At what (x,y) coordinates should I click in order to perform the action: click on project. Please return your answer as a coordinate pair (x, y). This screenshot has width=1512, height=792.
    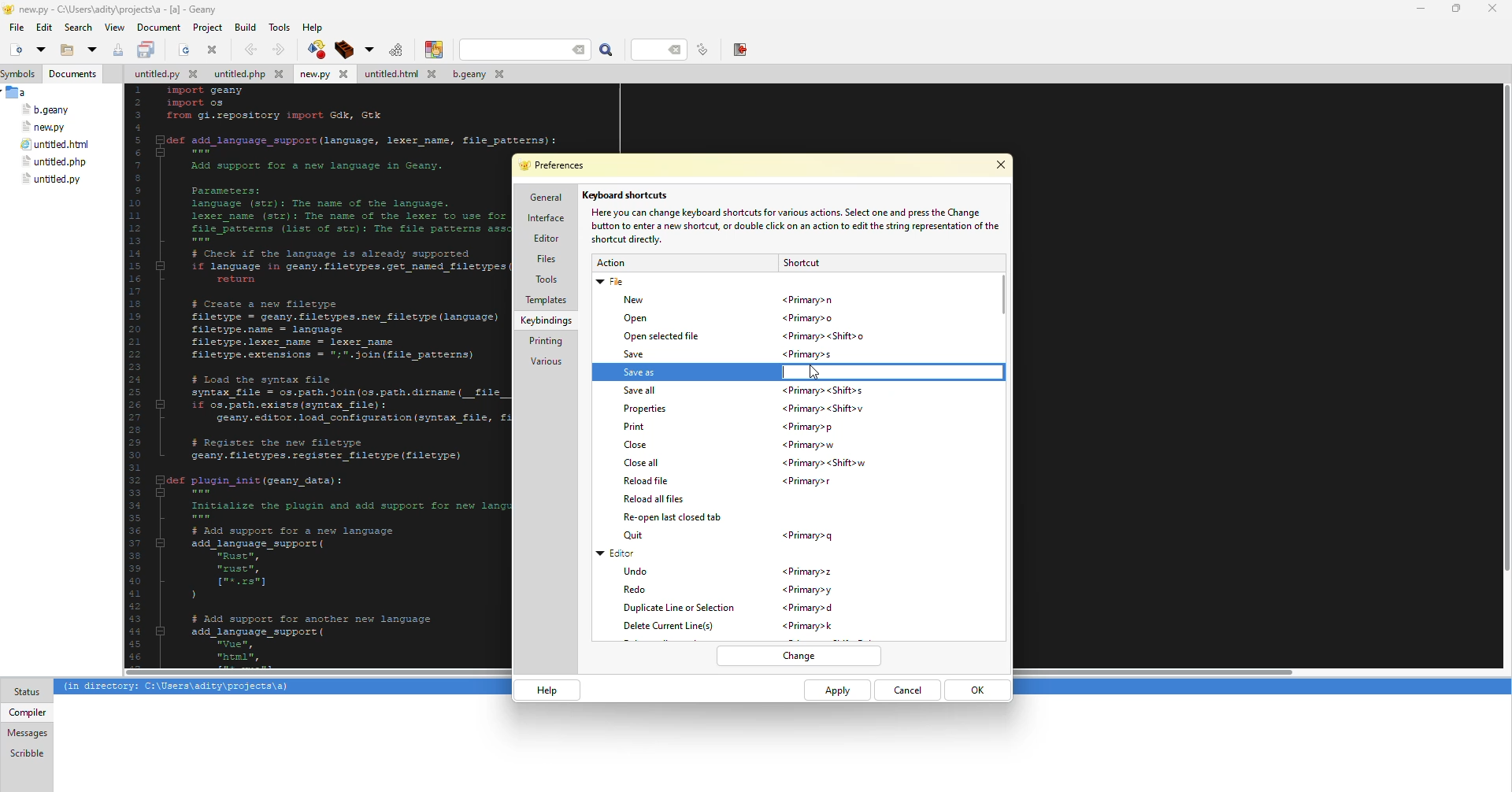
    Looking at the image, I should click on (207, 28).